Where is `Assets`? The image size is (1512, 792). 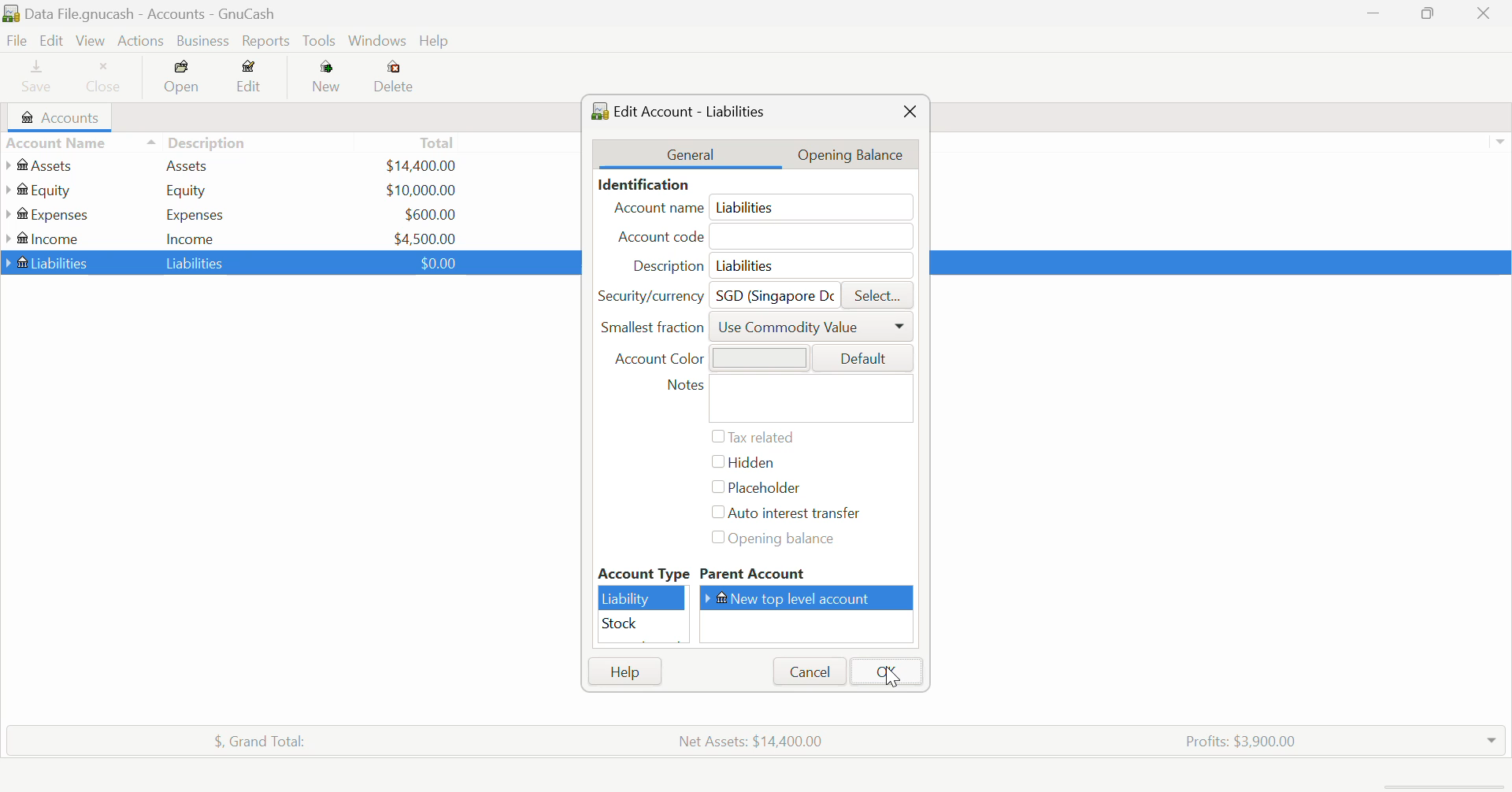 Assets is located at coordinates (187, 165).